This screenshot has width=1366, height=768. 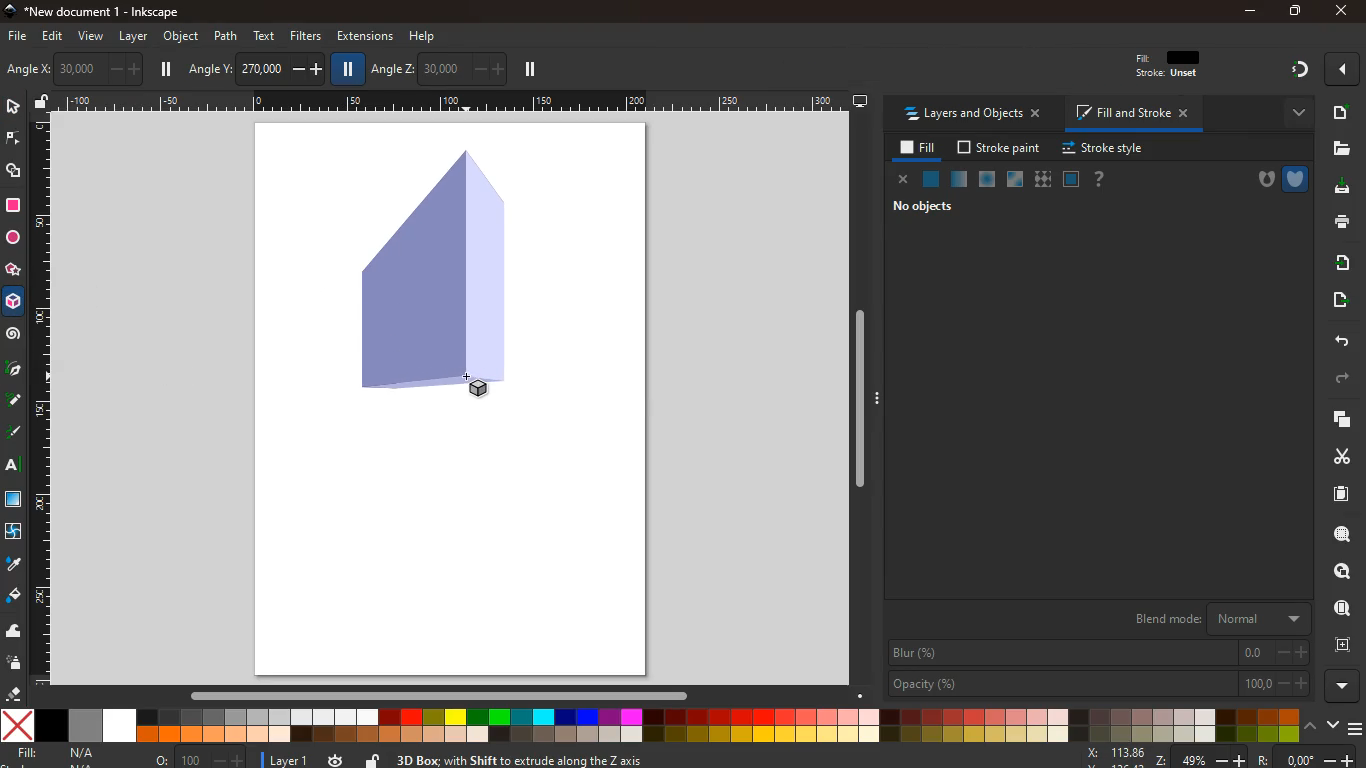 I want to click on minimize, so click(x=1250, y=11).